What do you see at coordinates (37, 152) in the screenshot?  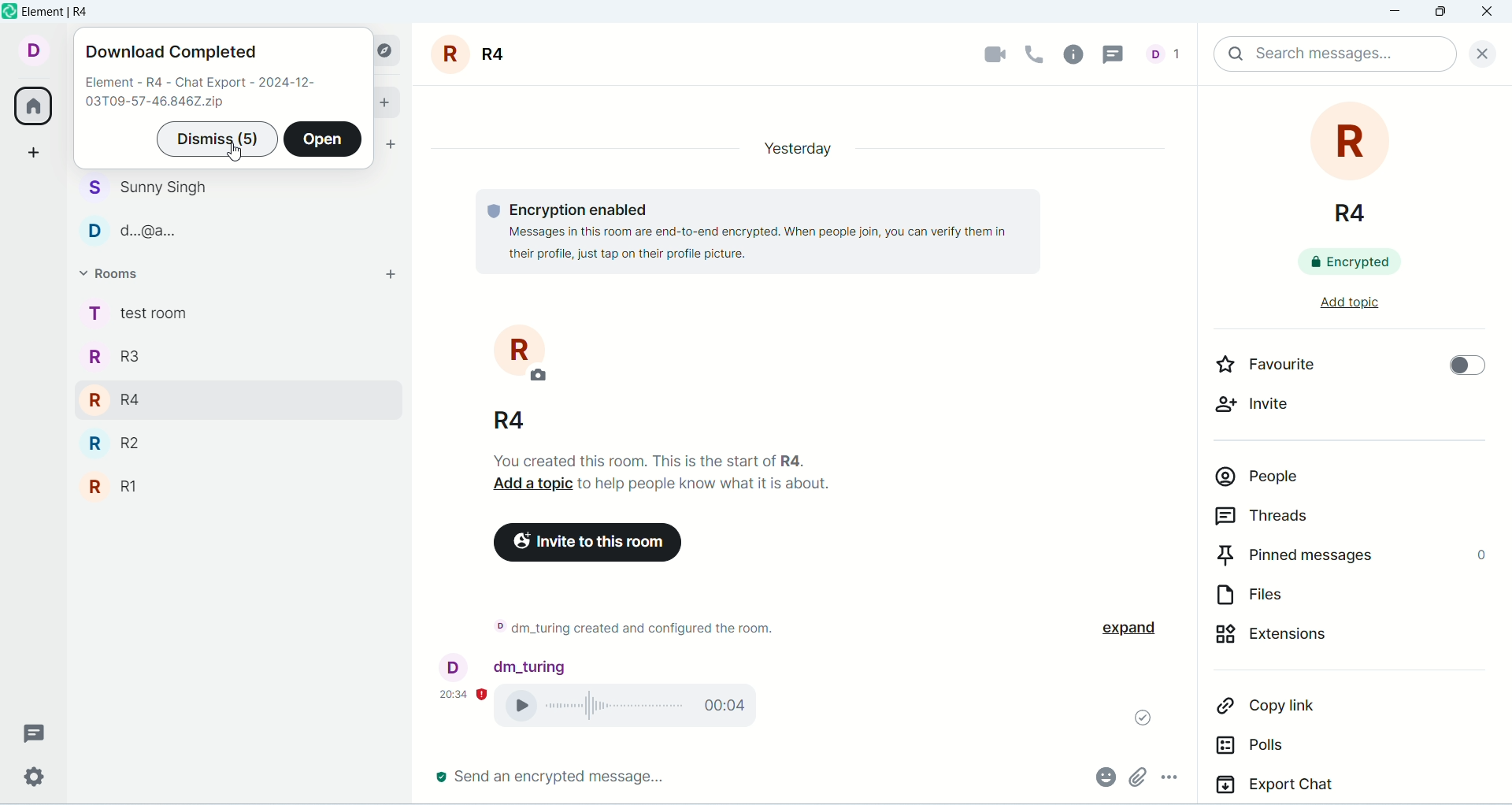 I see `create a space` at bounding box center [37, 152].